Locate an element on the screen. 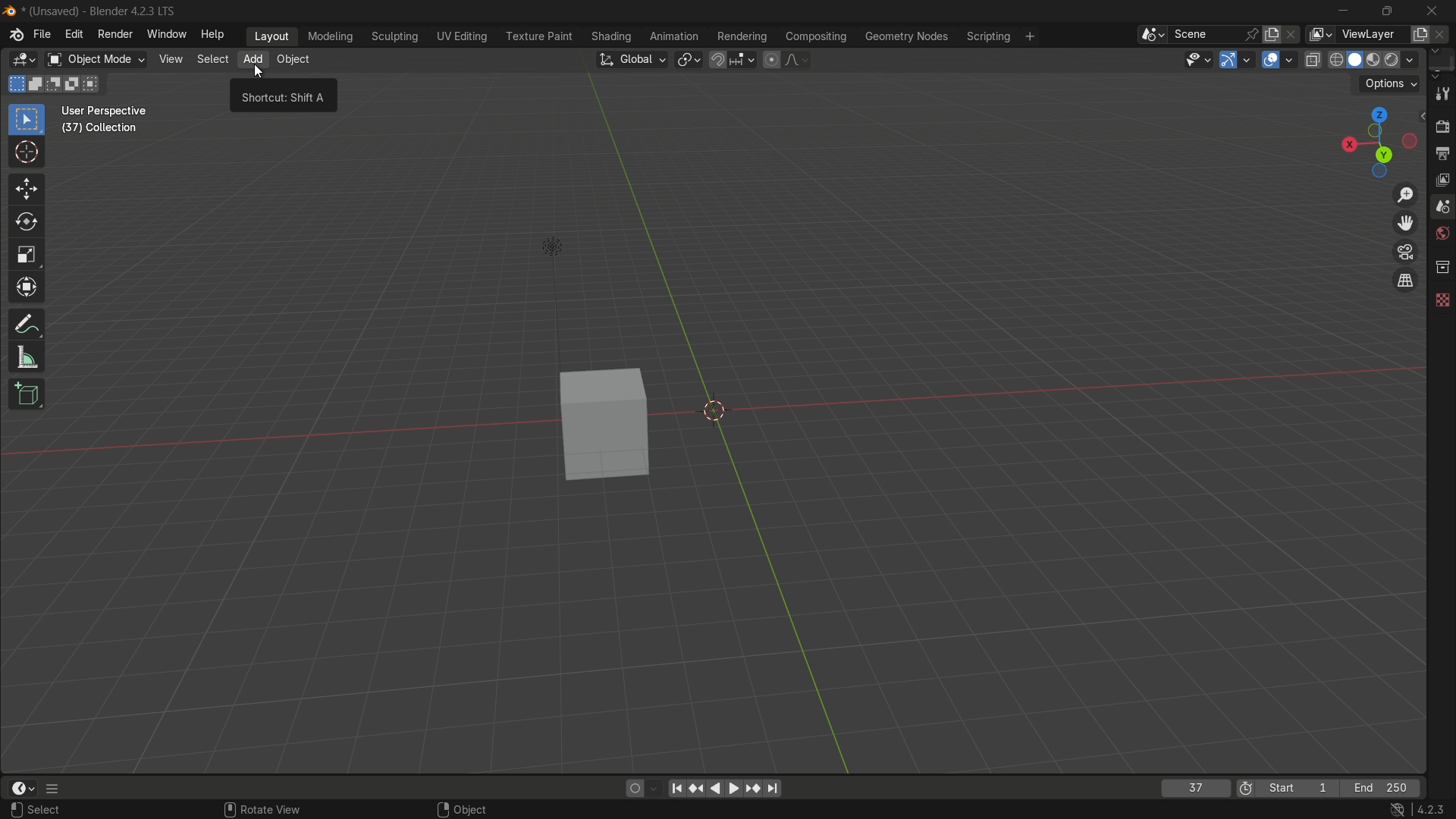  object is located at coordinates (472, 808).